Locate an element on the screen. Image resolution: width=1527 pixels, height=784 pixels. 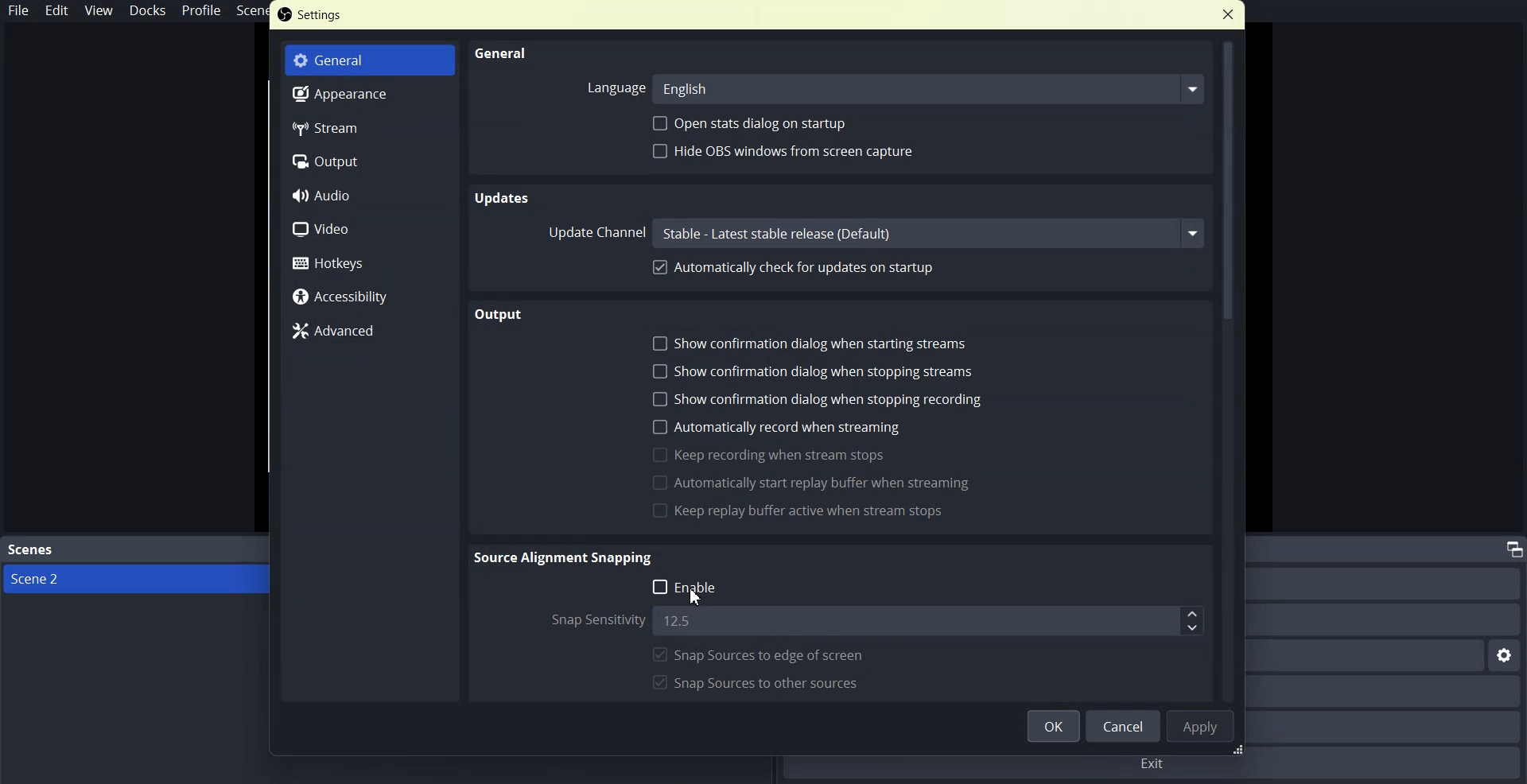
Stream is located at coordinates (371, 127).